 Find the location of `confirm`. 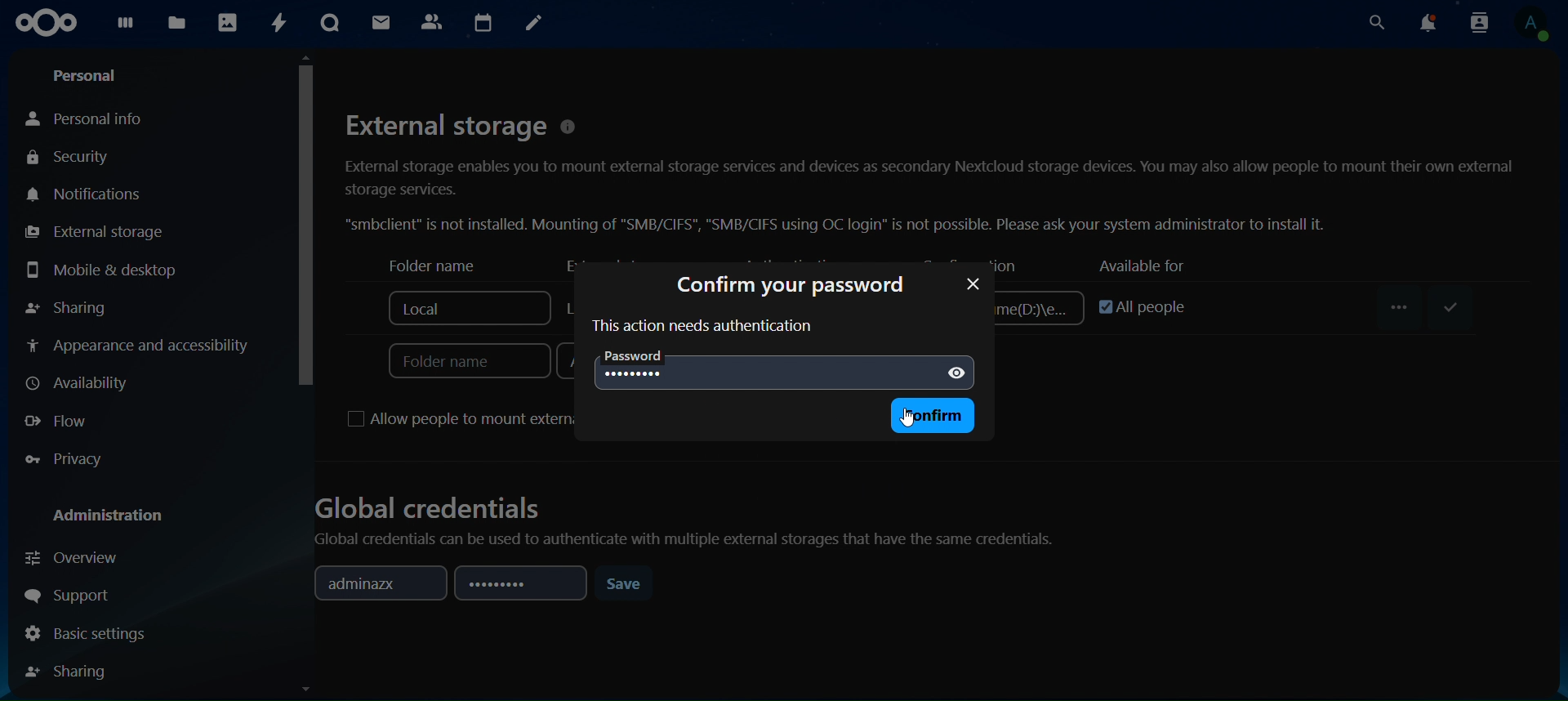

confirm is located at coordinates (930, 416).